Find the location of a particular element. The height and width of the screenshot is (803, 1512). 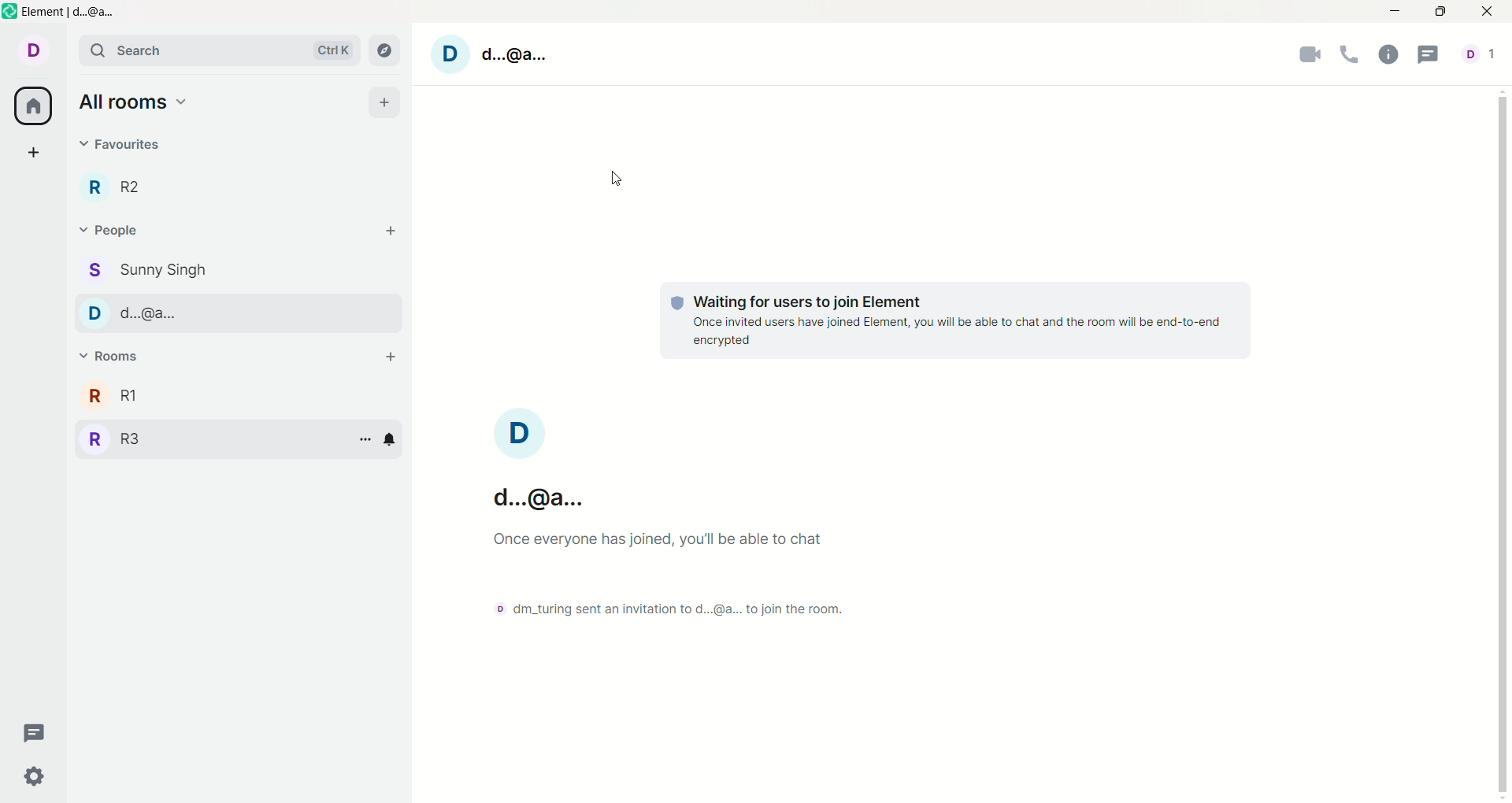

voice call is located at coordinates (1351, 56).